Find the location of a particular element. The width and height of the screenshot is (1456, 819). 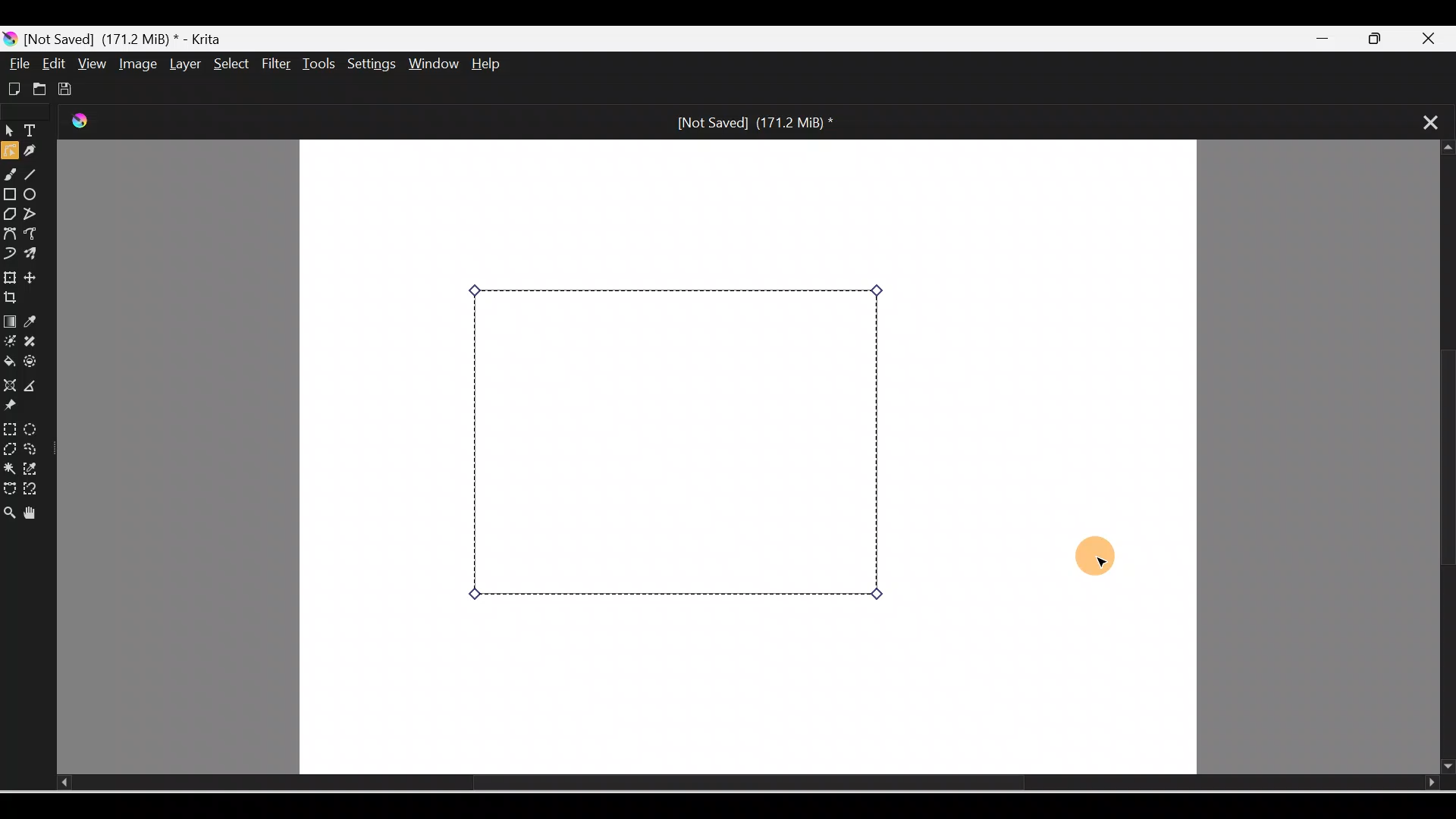

Scroll bar is located at coordinates (1442, 458).